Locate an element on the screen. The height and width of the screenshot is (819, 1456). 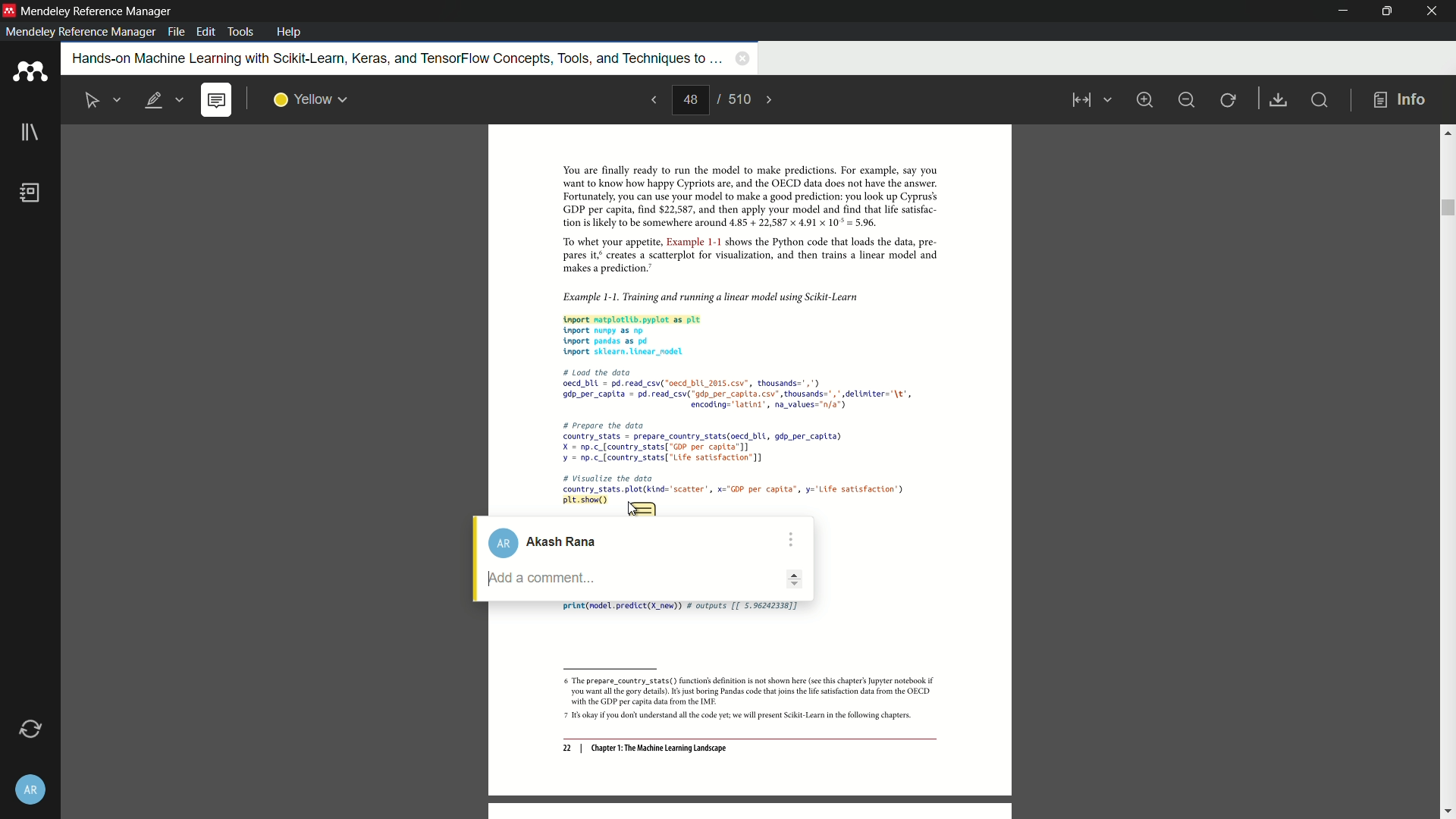
close book is located at coordinates (742, 58).